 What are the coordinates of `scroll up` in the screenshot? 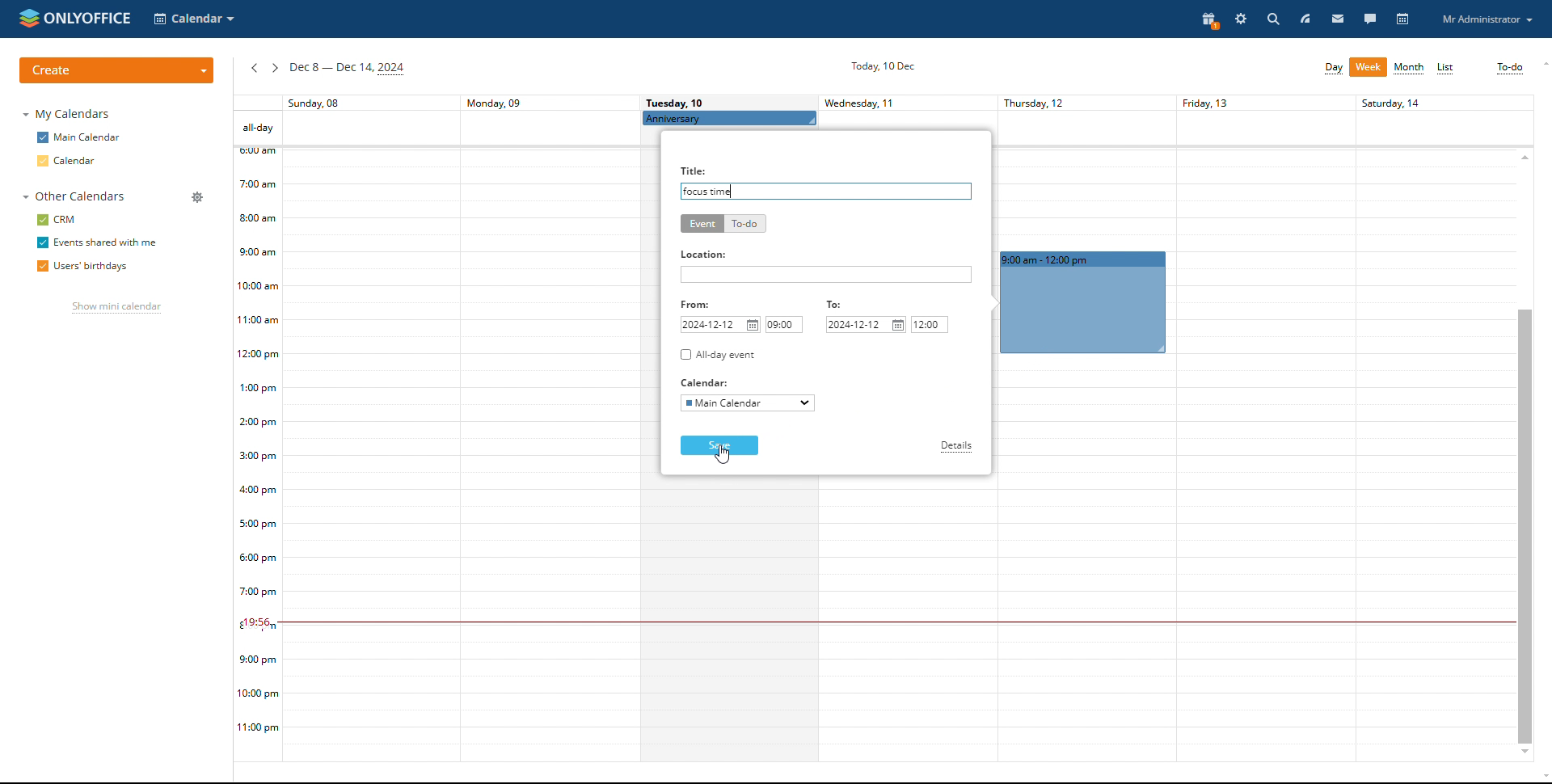 It's located at (1542, 64).